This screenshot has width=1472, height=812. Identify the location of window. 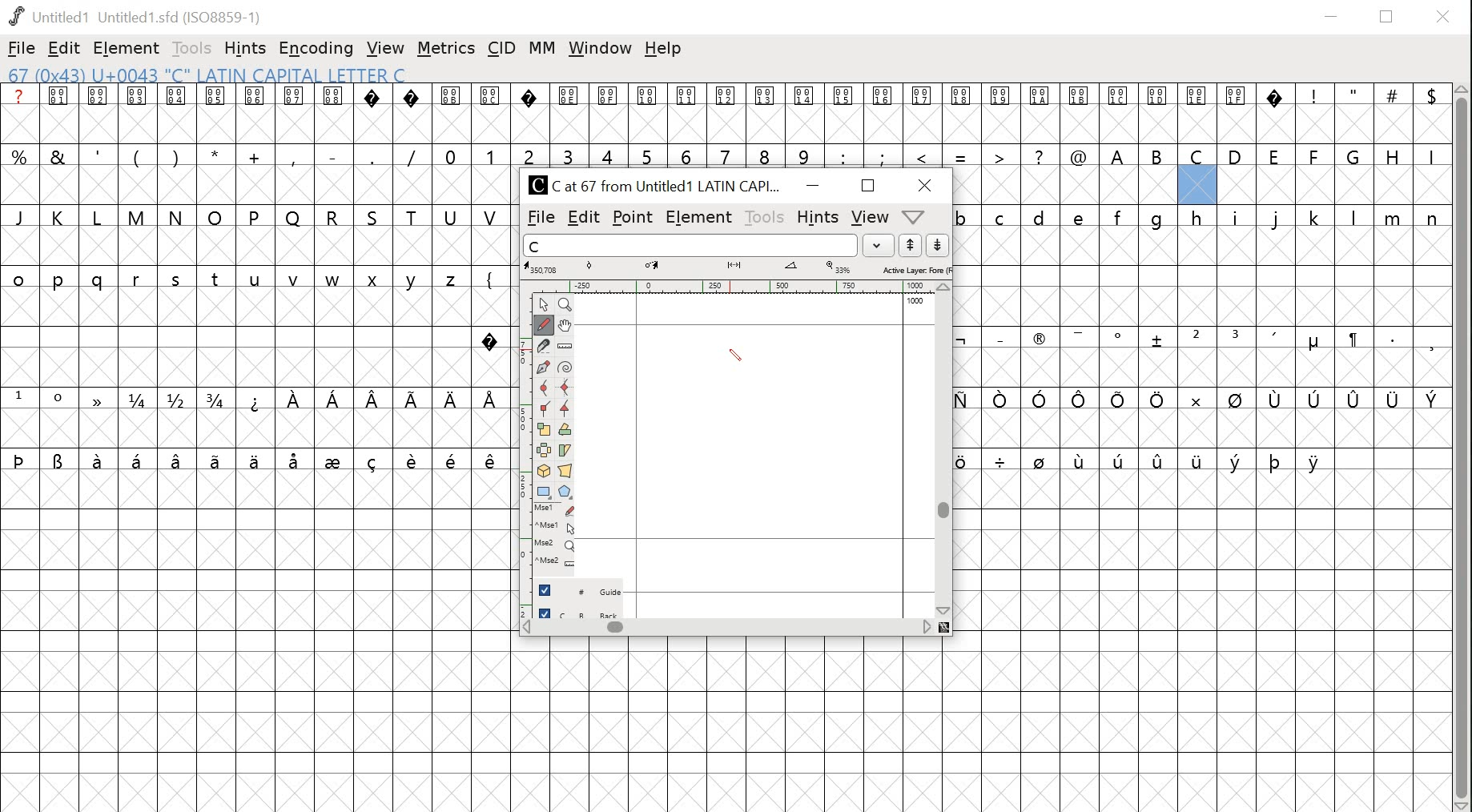
(601, 51).